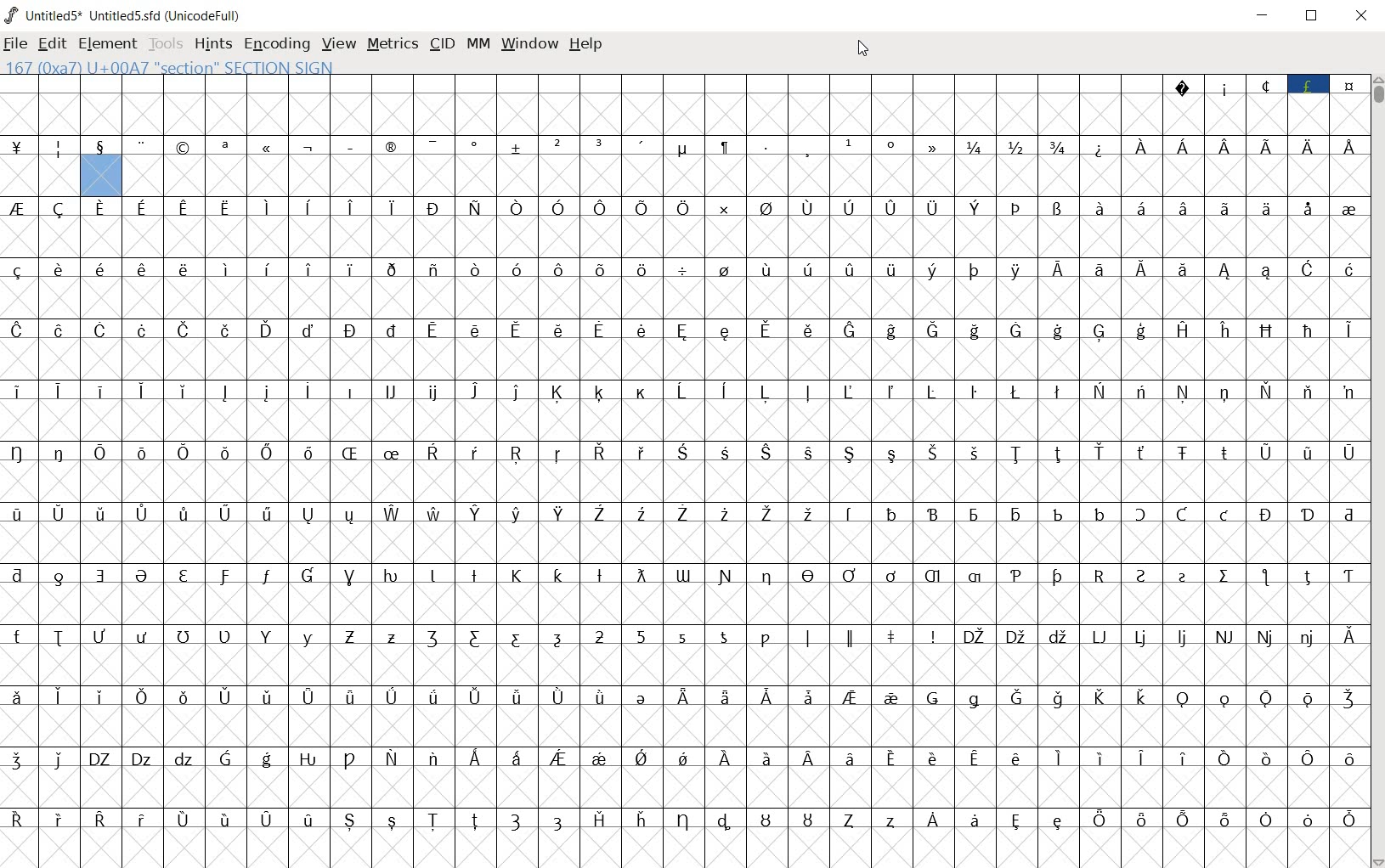 The image size is (1385, 868). I want to click on special symbols, so click(482, 148).